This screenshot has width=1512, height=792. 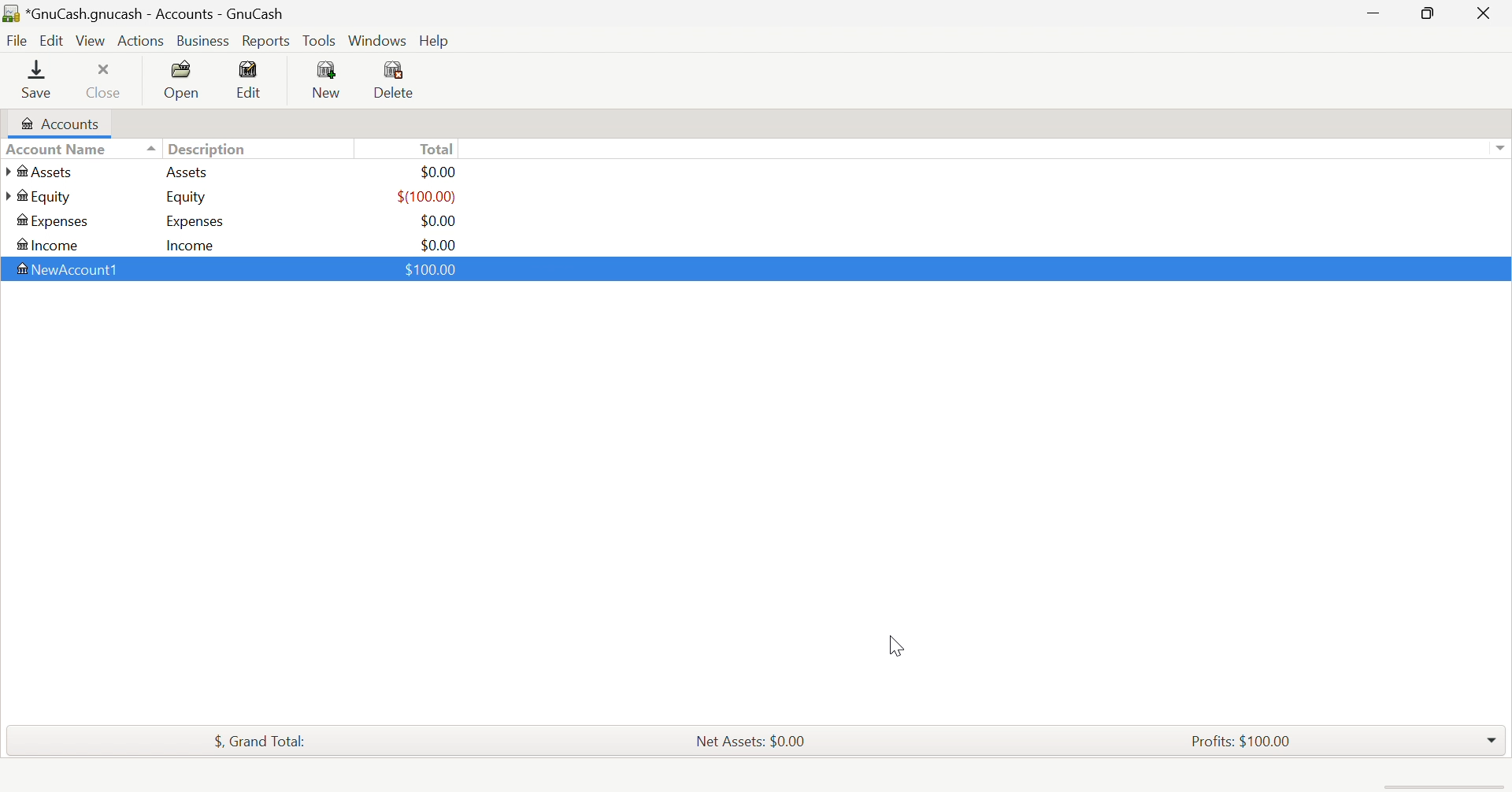 I want to click on Net Assets: $0.00, so click(x=751, y=741).